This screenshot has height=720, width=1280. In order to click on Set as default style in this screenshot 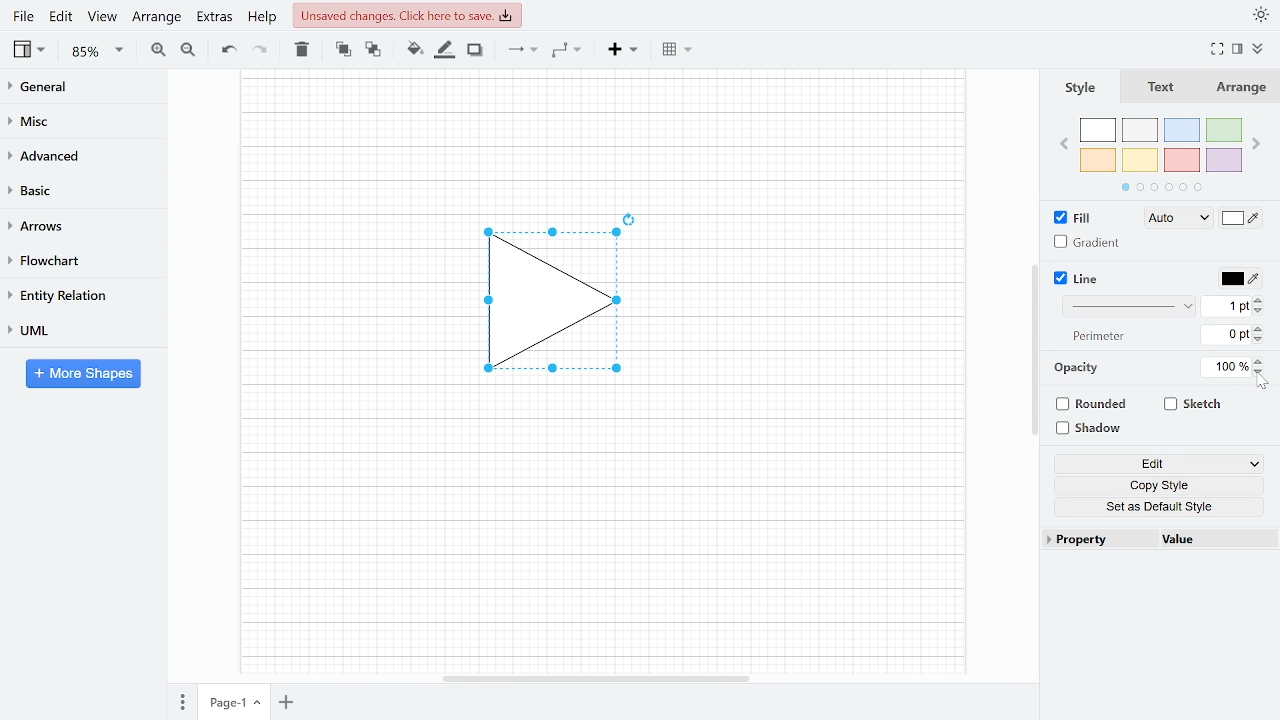, I will do `click(1162, 506)`.